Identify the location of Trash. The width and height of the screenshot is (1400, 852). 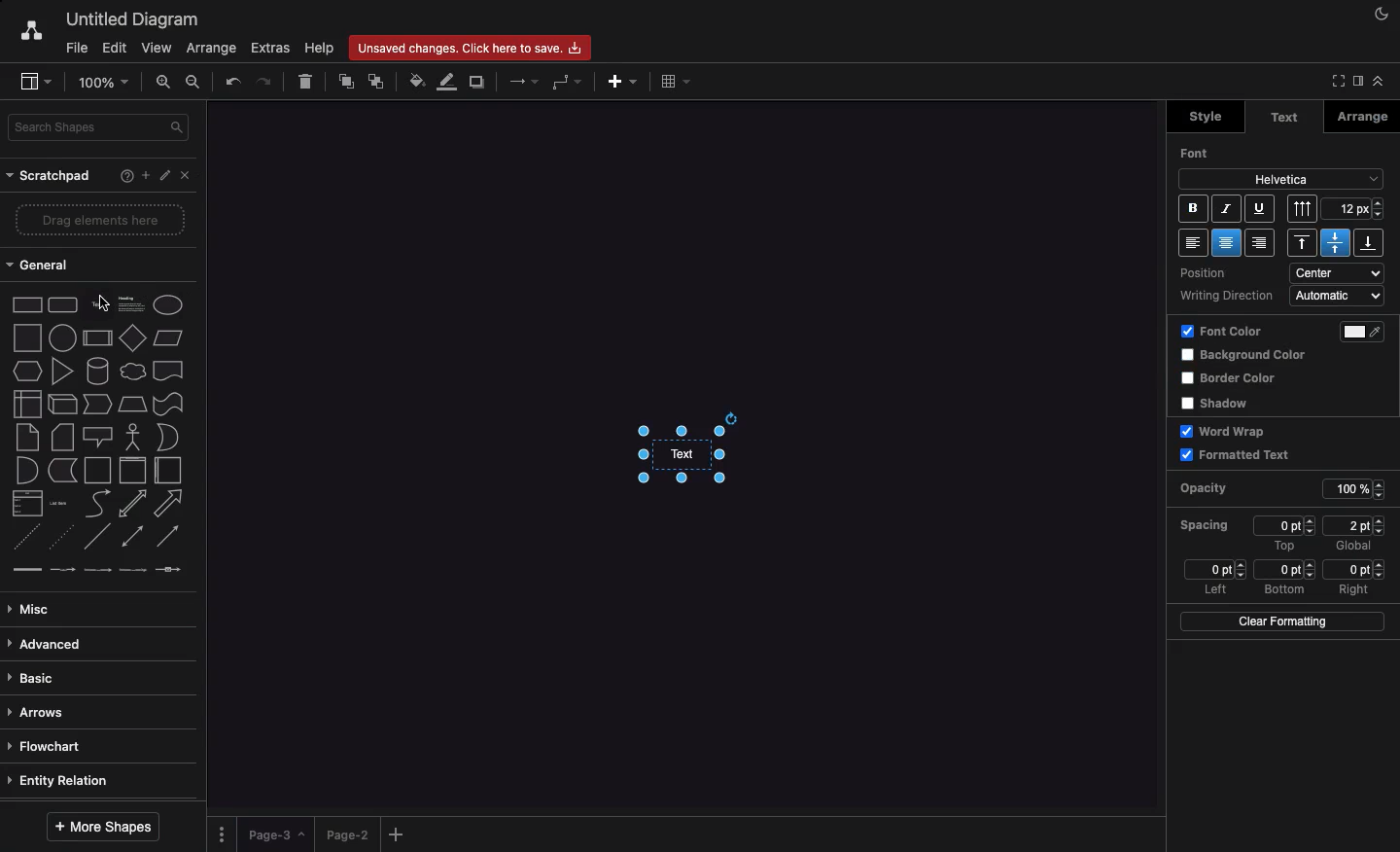
(306, 83).